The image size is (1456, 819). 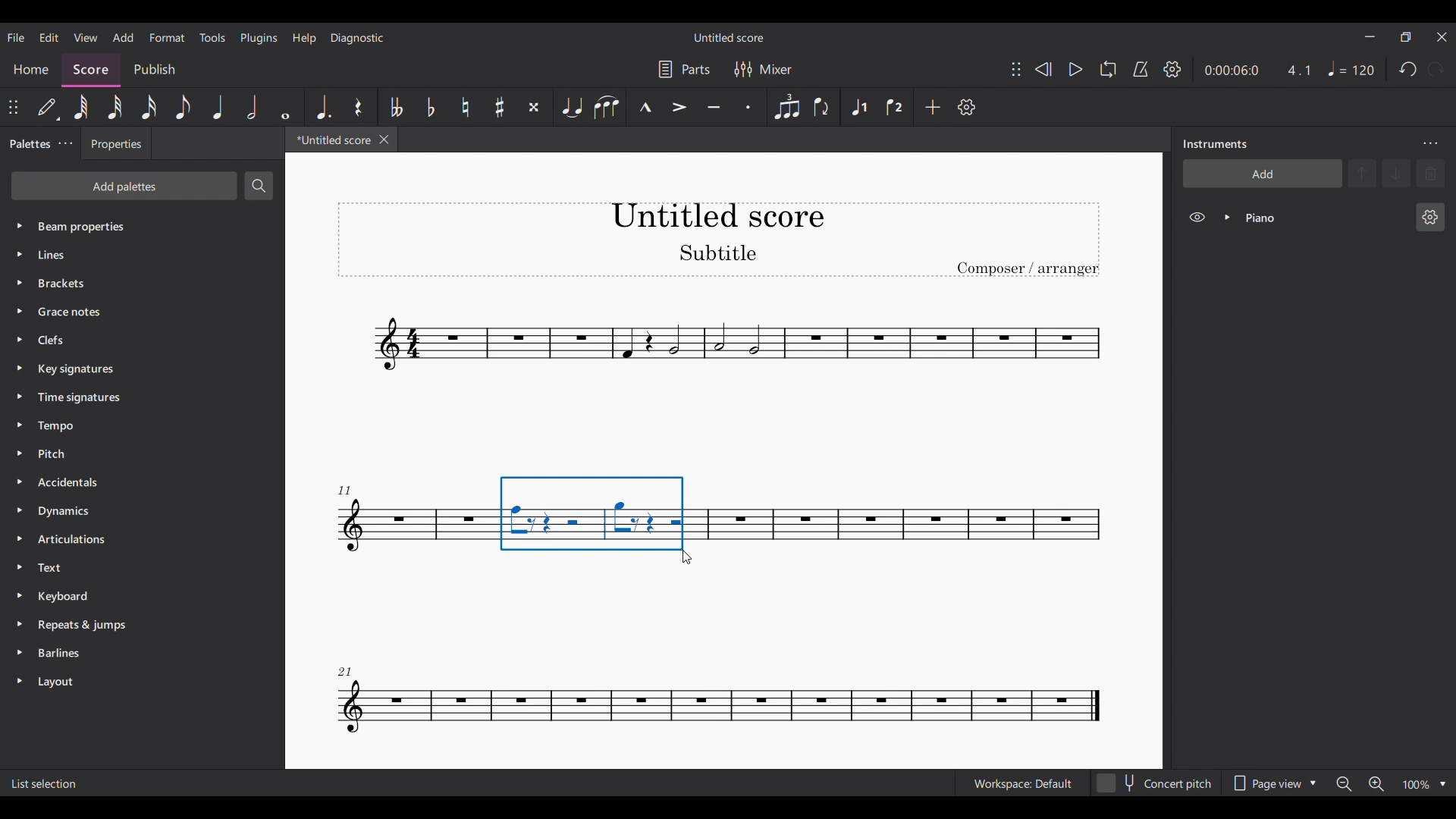 What do you see at coordinates (1016, 69) in the screenshot?
I see `Change position of toolbar` at bounding box center [1016, 69].